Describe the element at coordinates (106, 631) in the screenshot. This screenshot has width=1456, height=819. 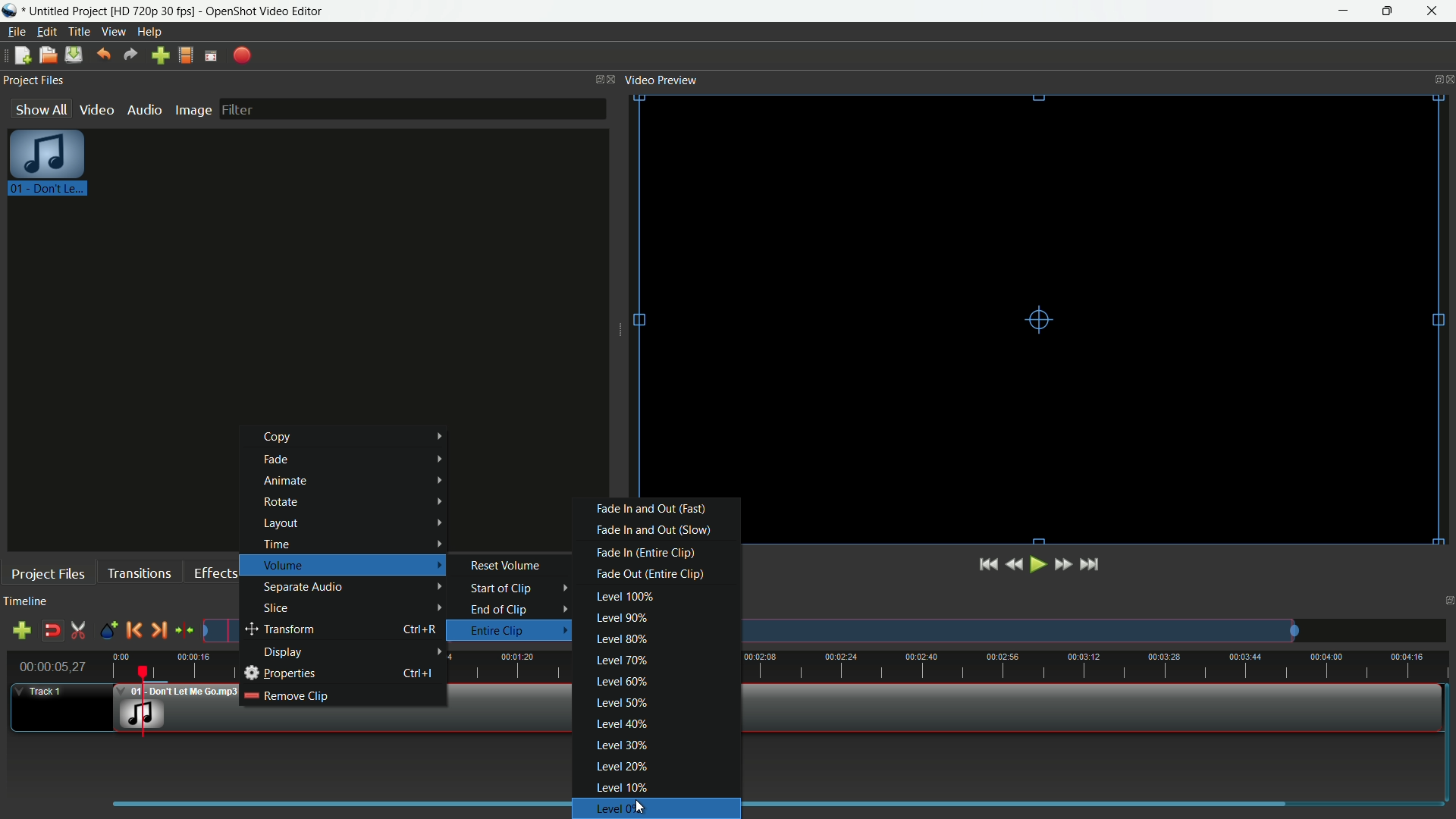
I see `create marker` at that location.